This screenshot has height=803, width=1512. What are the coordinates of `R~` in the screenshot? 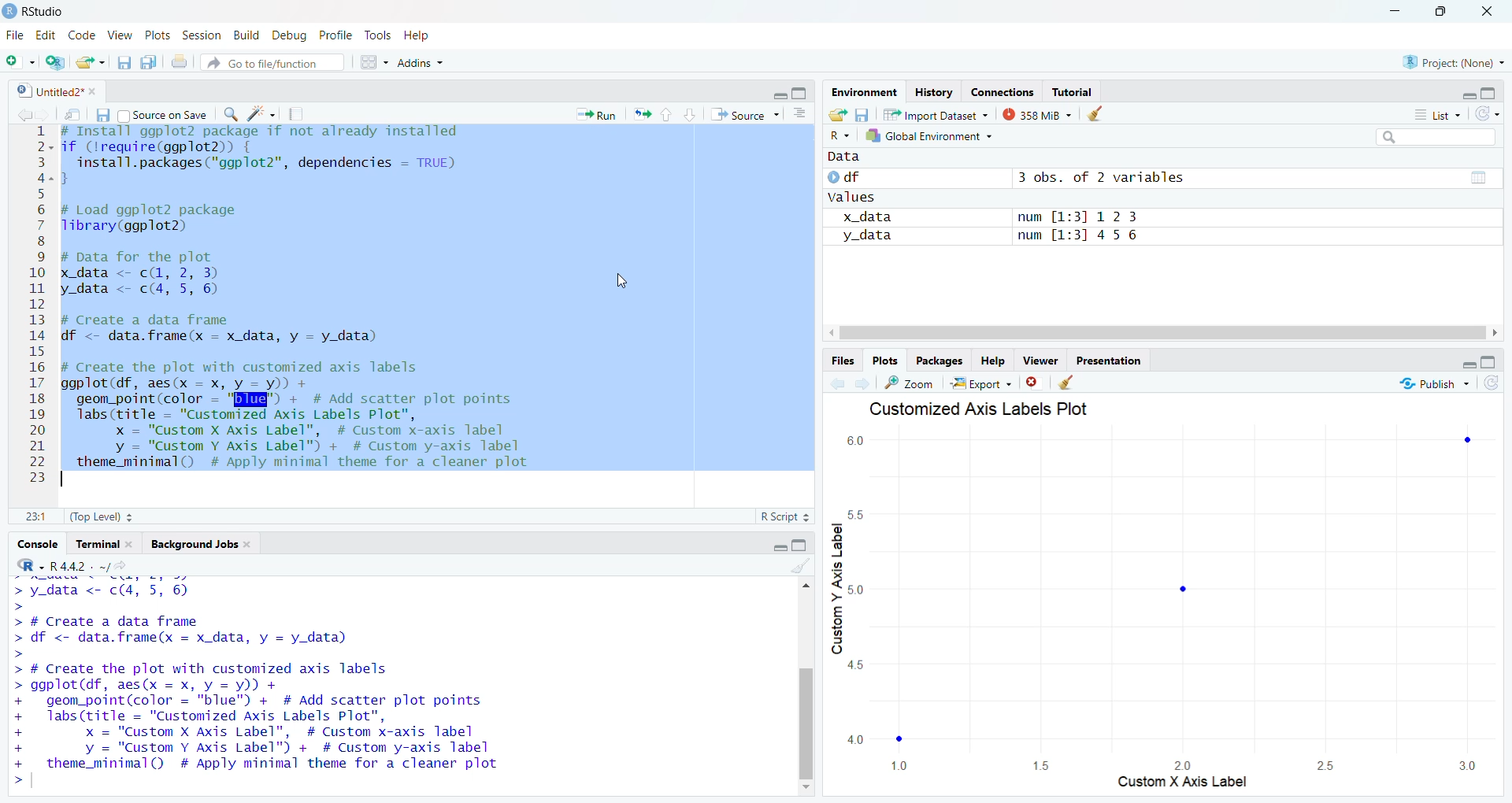 It's located at (838, 132).